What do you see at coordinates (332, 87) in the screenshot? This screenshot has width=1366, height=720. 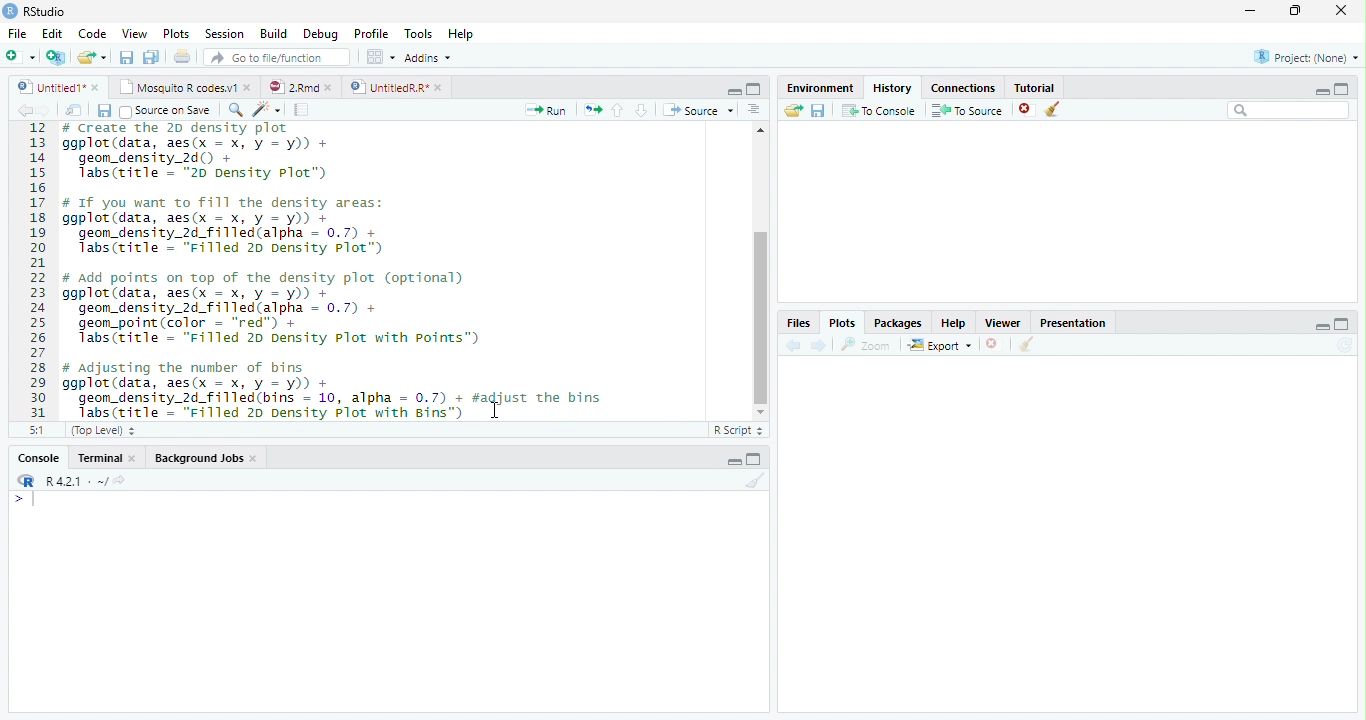 I see `close` at bounding box center [332, 87].